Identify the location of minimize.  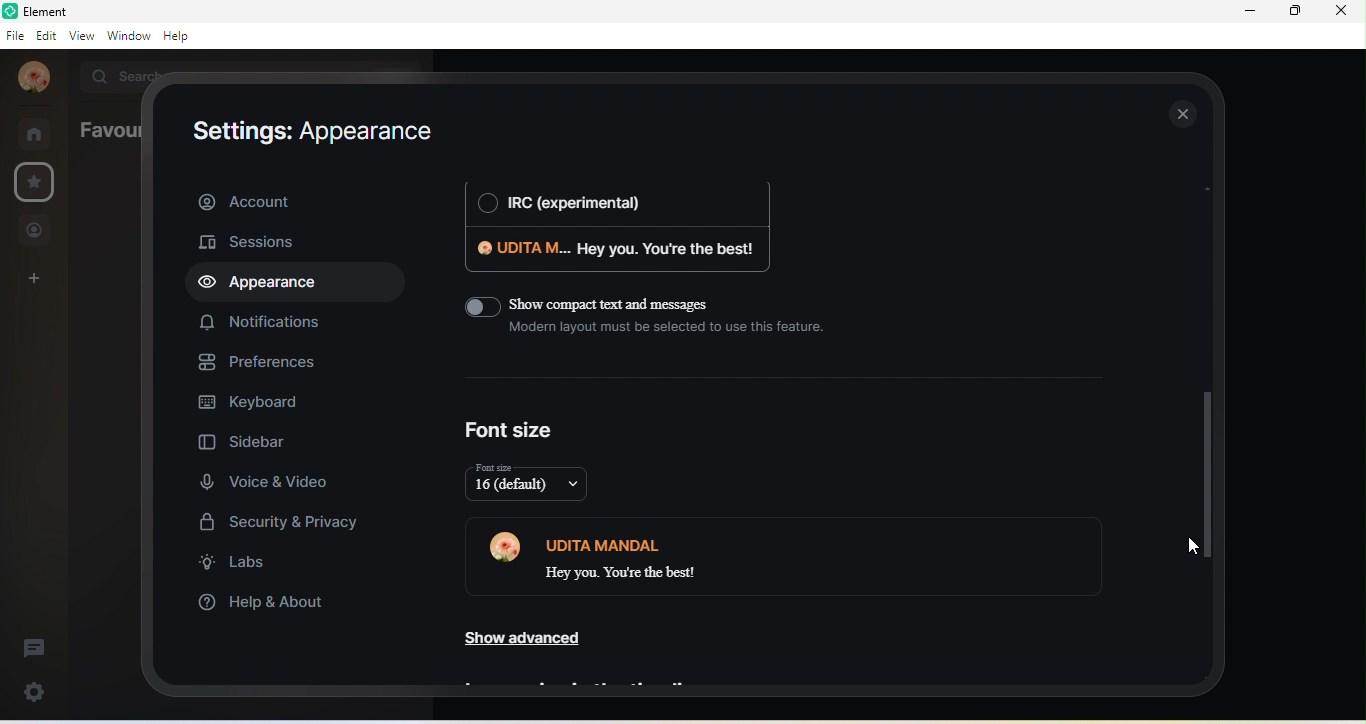
(1250, 12).